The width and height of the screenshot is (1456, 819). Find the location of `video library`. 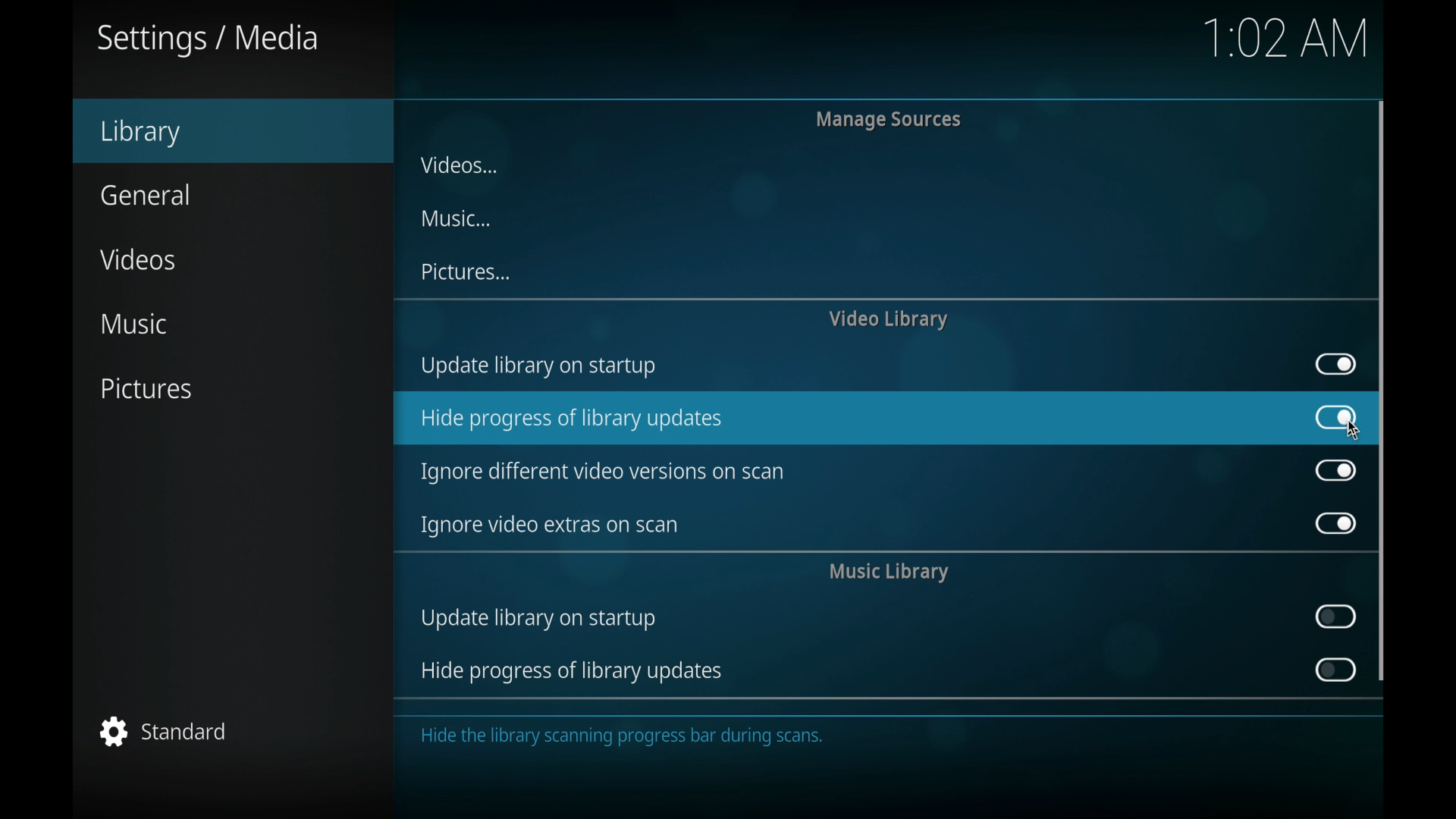

video library is located at coordinates (889, 320).